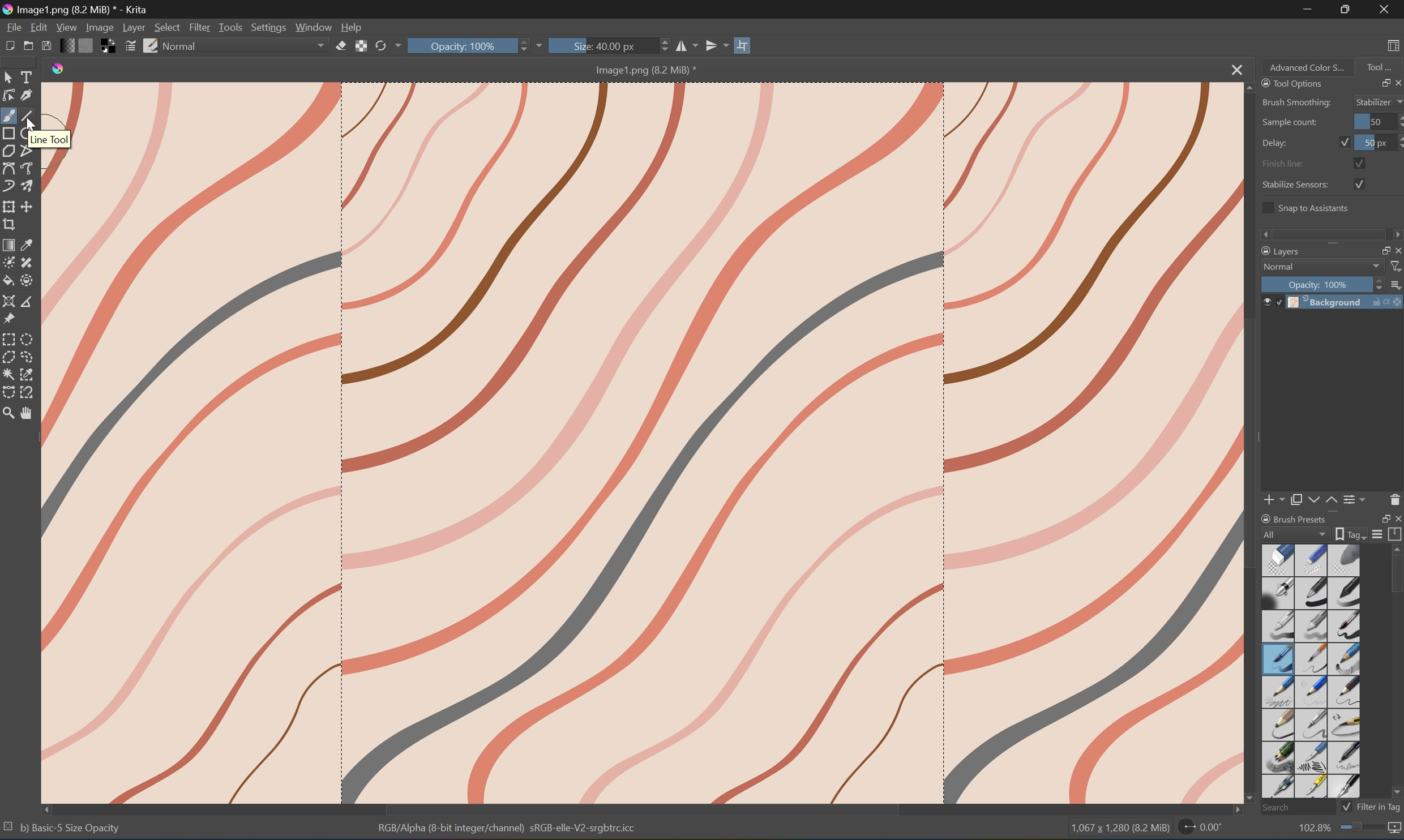 Image resolution: width=1404 pixels, height=840 pixels. What do you see at coordinates (27, 95) in the screenshot?
I see `Calligraphy` at bounding box center [27, 95].